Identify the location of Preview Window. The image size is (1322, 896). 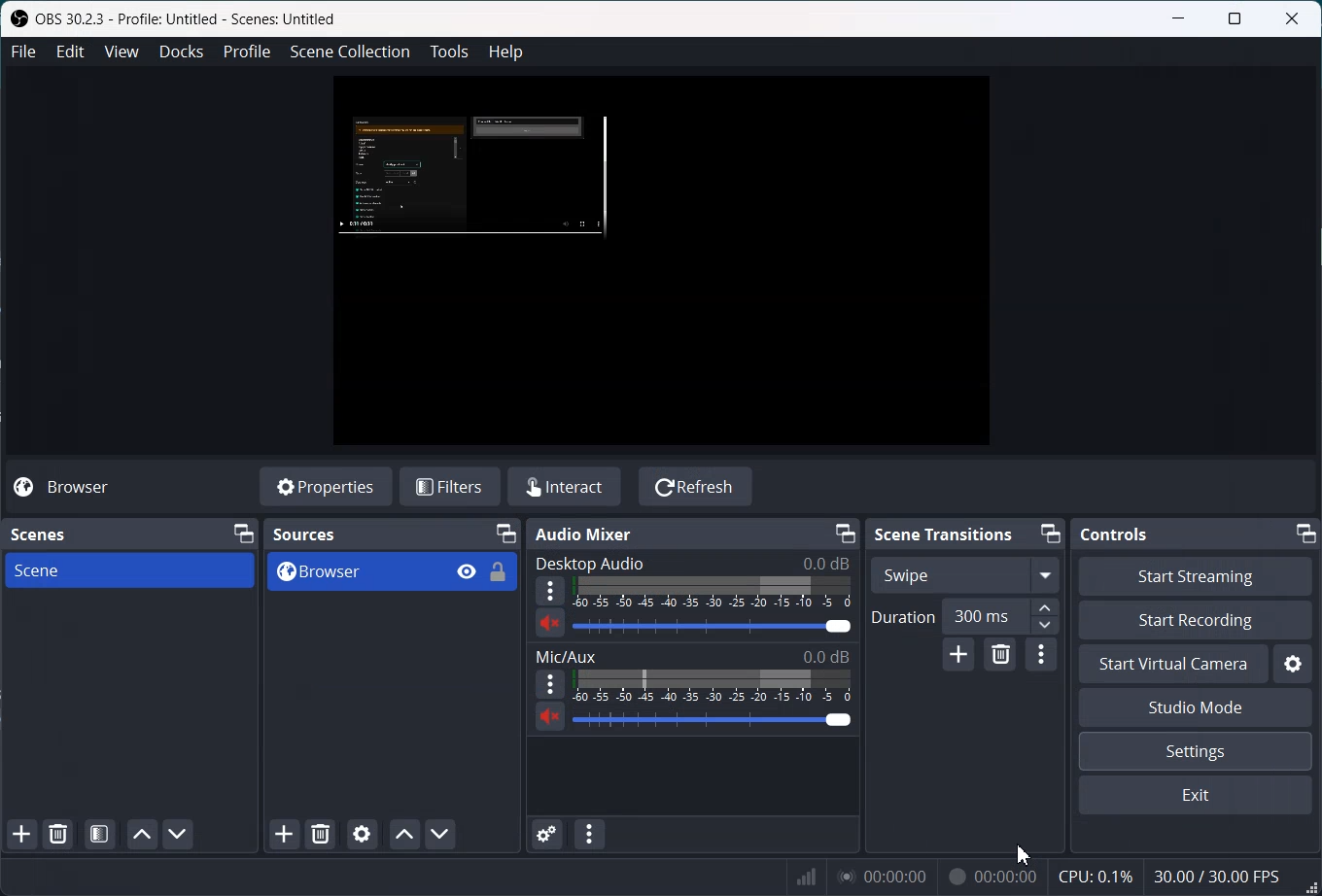
(660, 261).